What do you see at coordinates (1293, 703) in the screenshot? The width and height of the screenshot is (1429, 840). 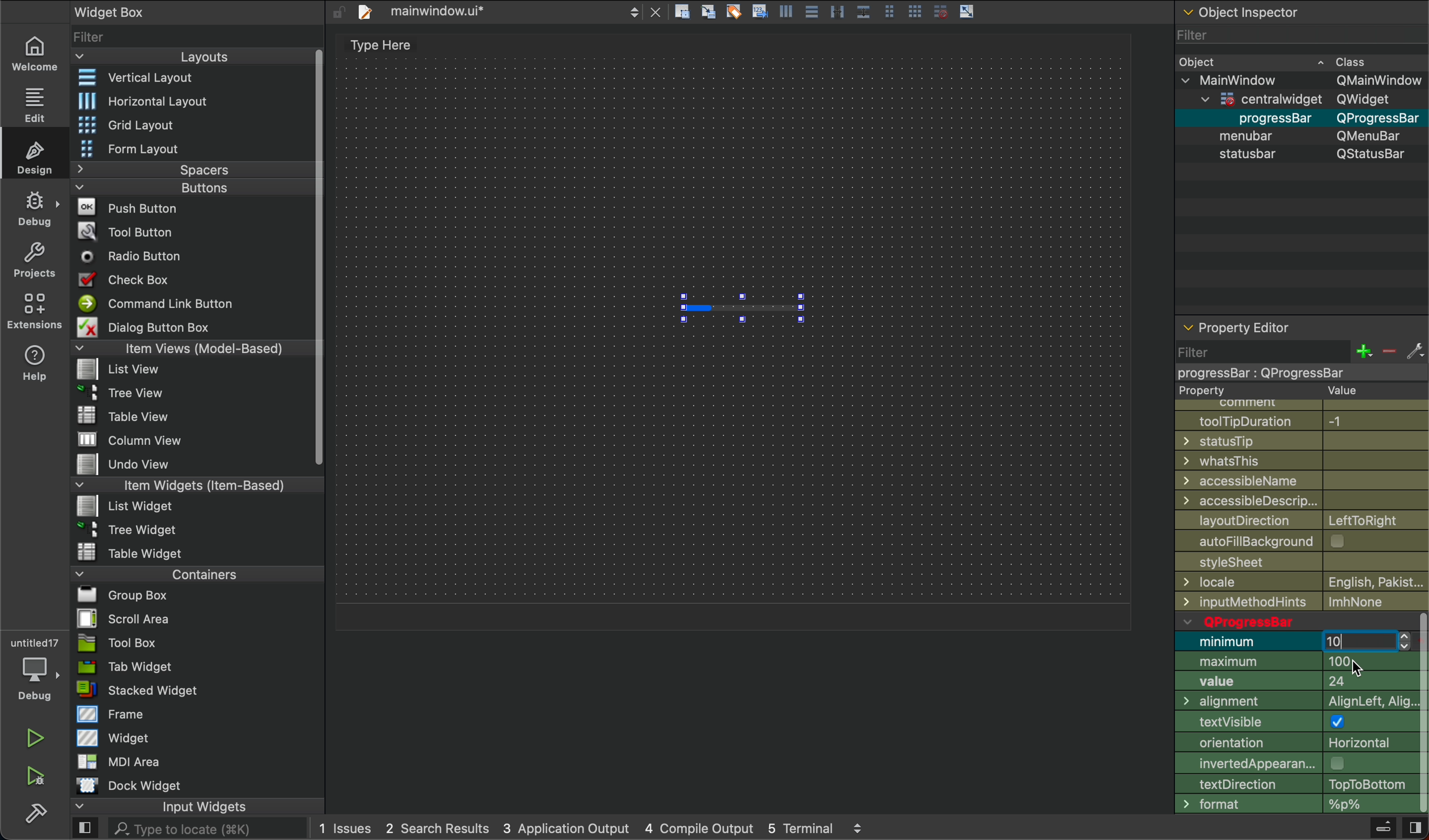 I see `Alignment` at bounding box center [1293, 703].